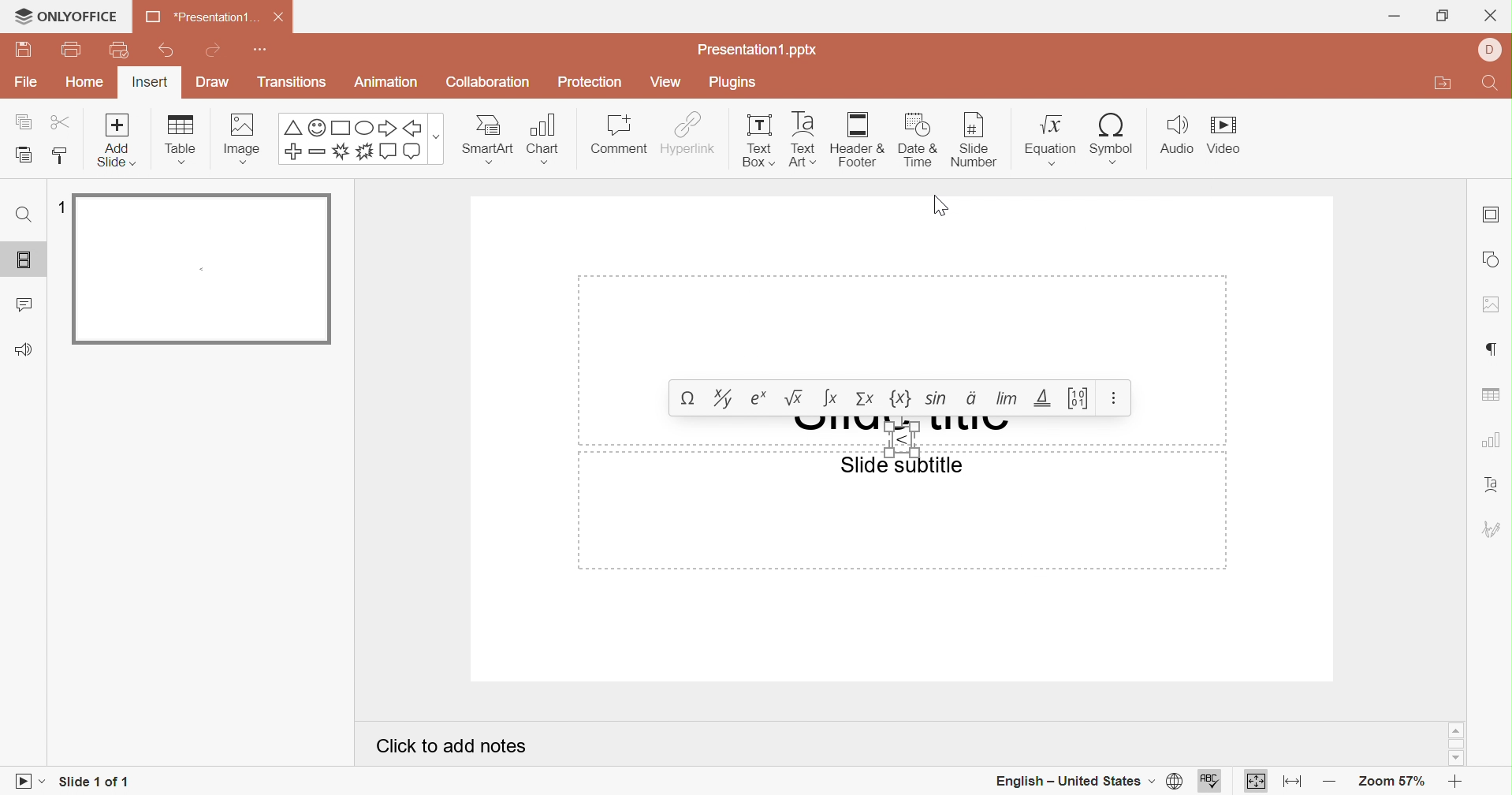 This screenshot has height=795, width=1512. I want to click on Equation, so click(1052, 141).